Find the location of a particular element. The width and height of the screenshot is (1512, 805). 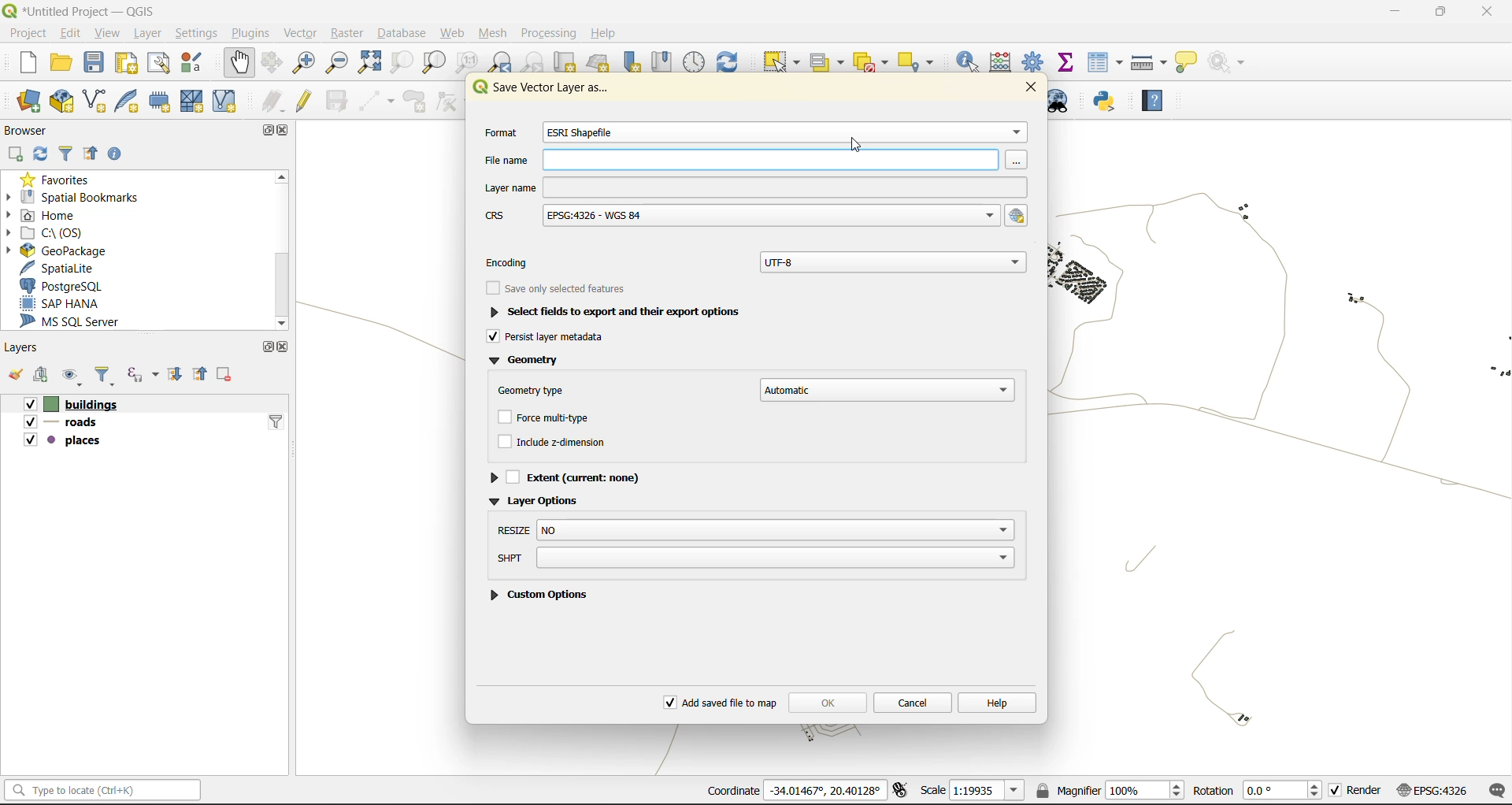

select crs is located at coordinates (1018, 216).